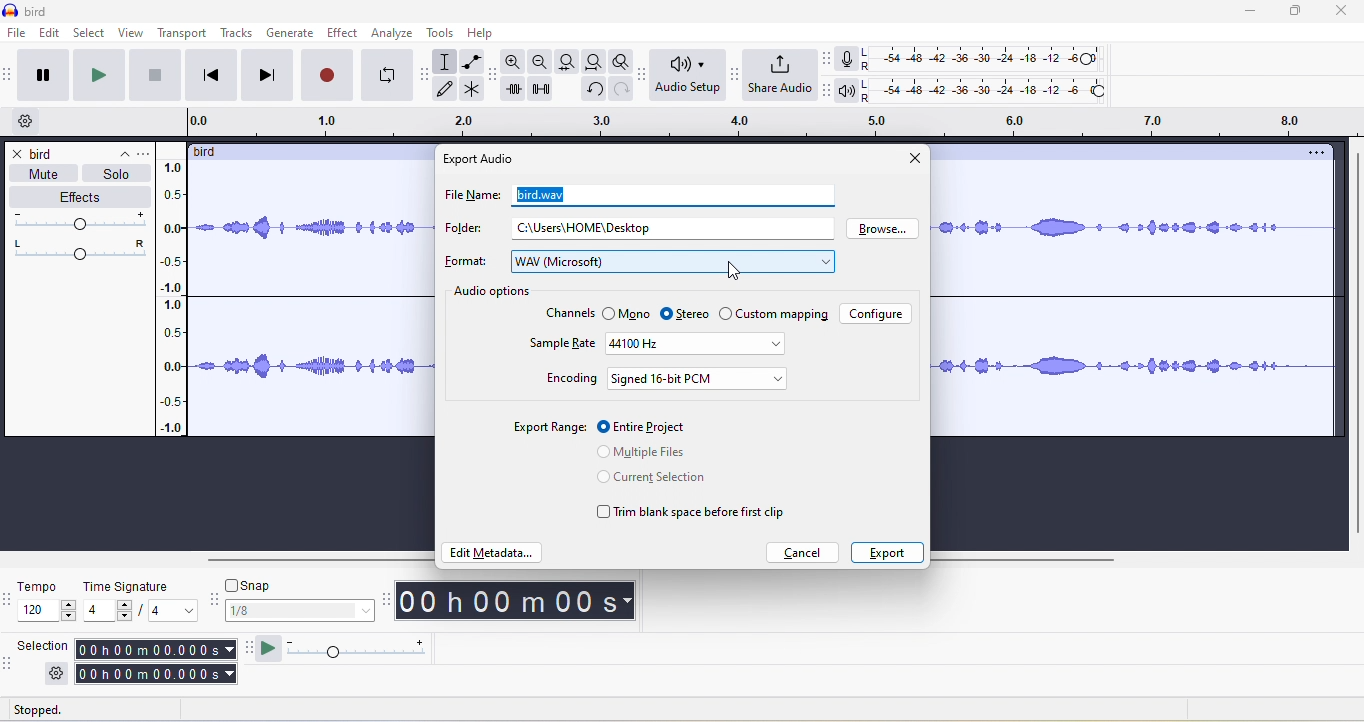 This screenshot has width=1364, height=722. Describe the element at coordinates (686, 311) in the screenshot. I see `stereo` at that location.